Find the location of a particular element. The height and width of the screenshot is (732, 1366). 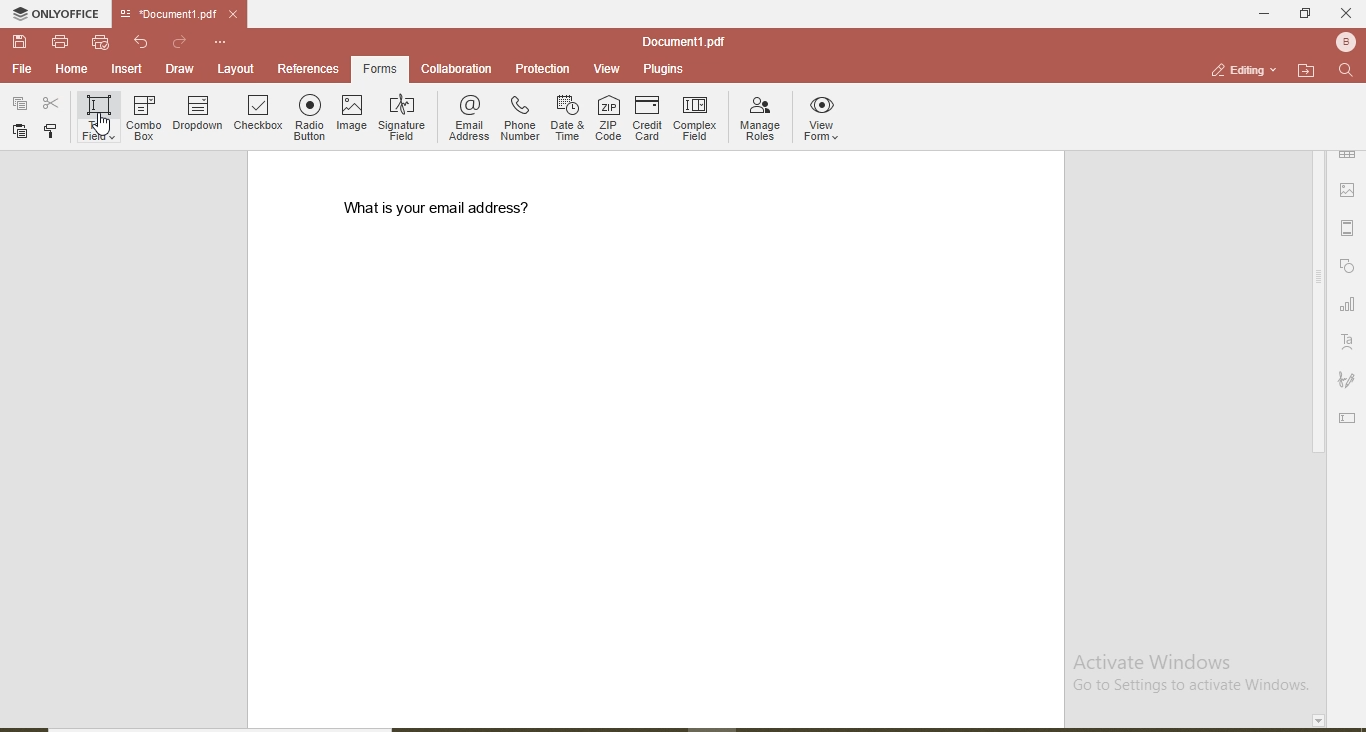

insert is located at coordinates (128, 70).